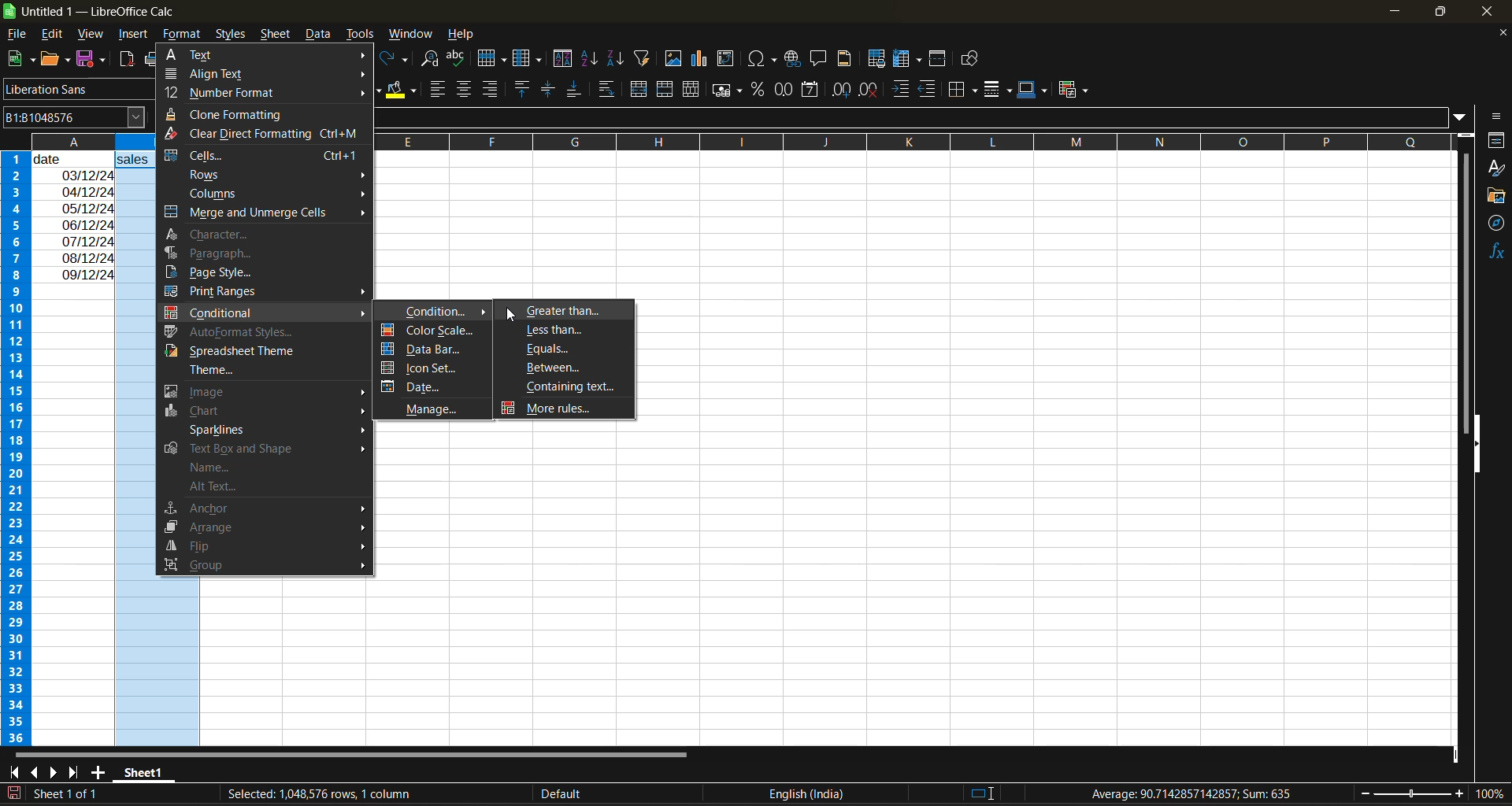  What do you see at coordinates (1032, 90) in the screenshot?
I see `border color` at bounding box center [1032, 90].